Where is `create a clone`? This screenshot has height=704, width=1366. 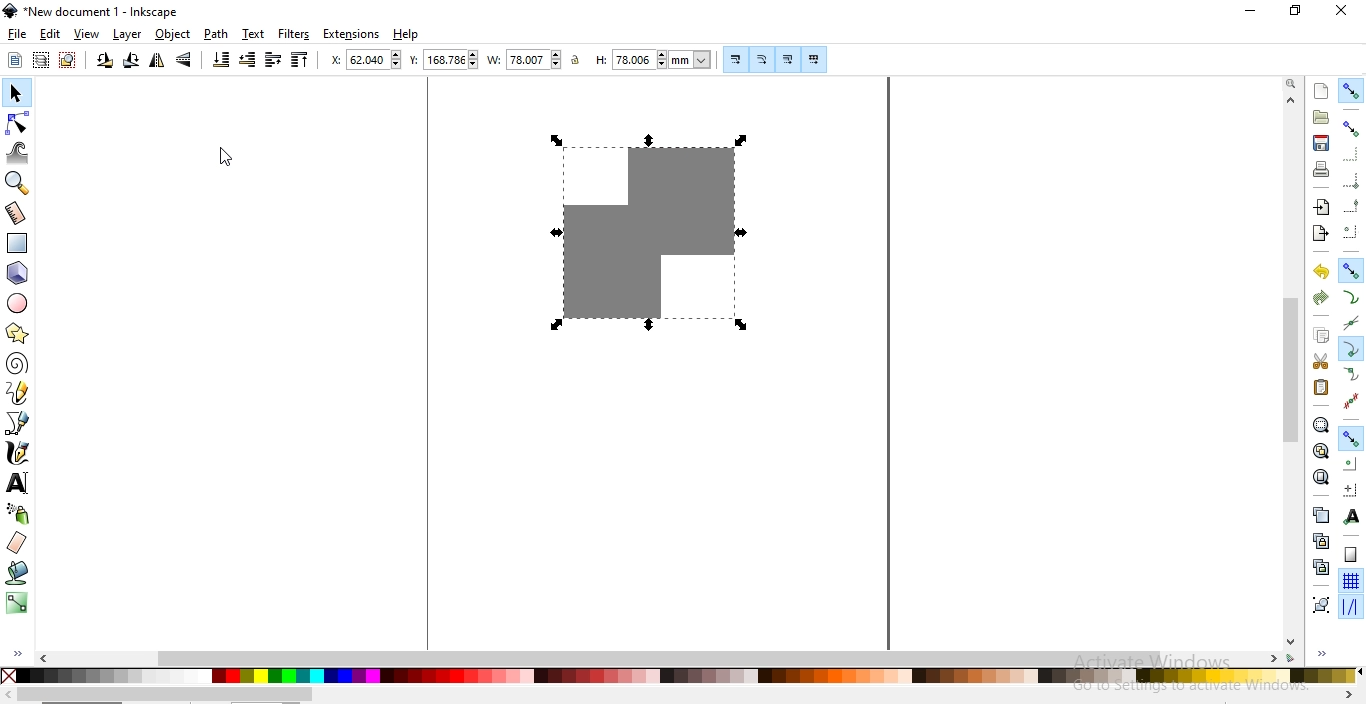
create a clone is located at coordinates (1320, 541).